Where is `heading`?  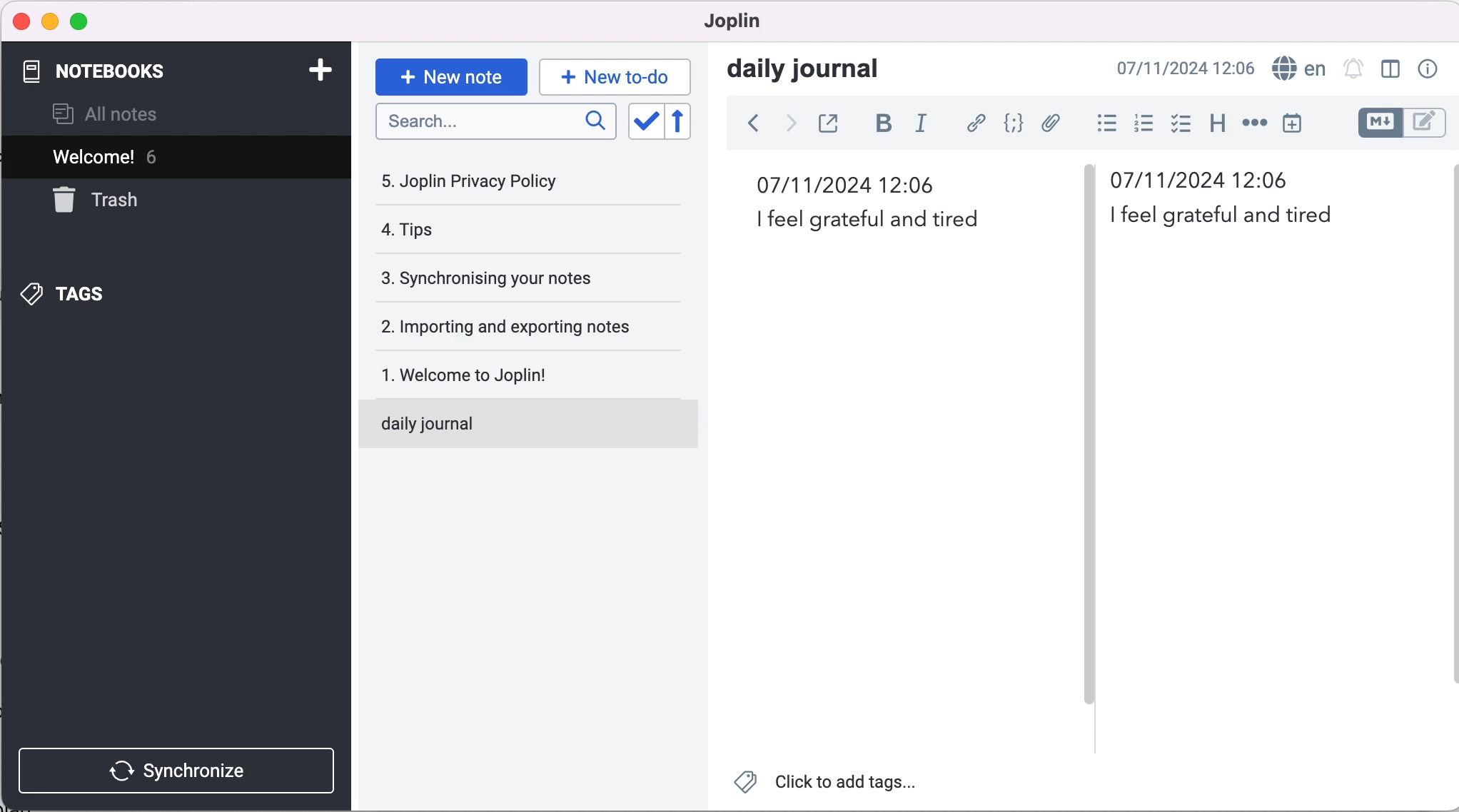 heading is located at coordinates (1216, 123).